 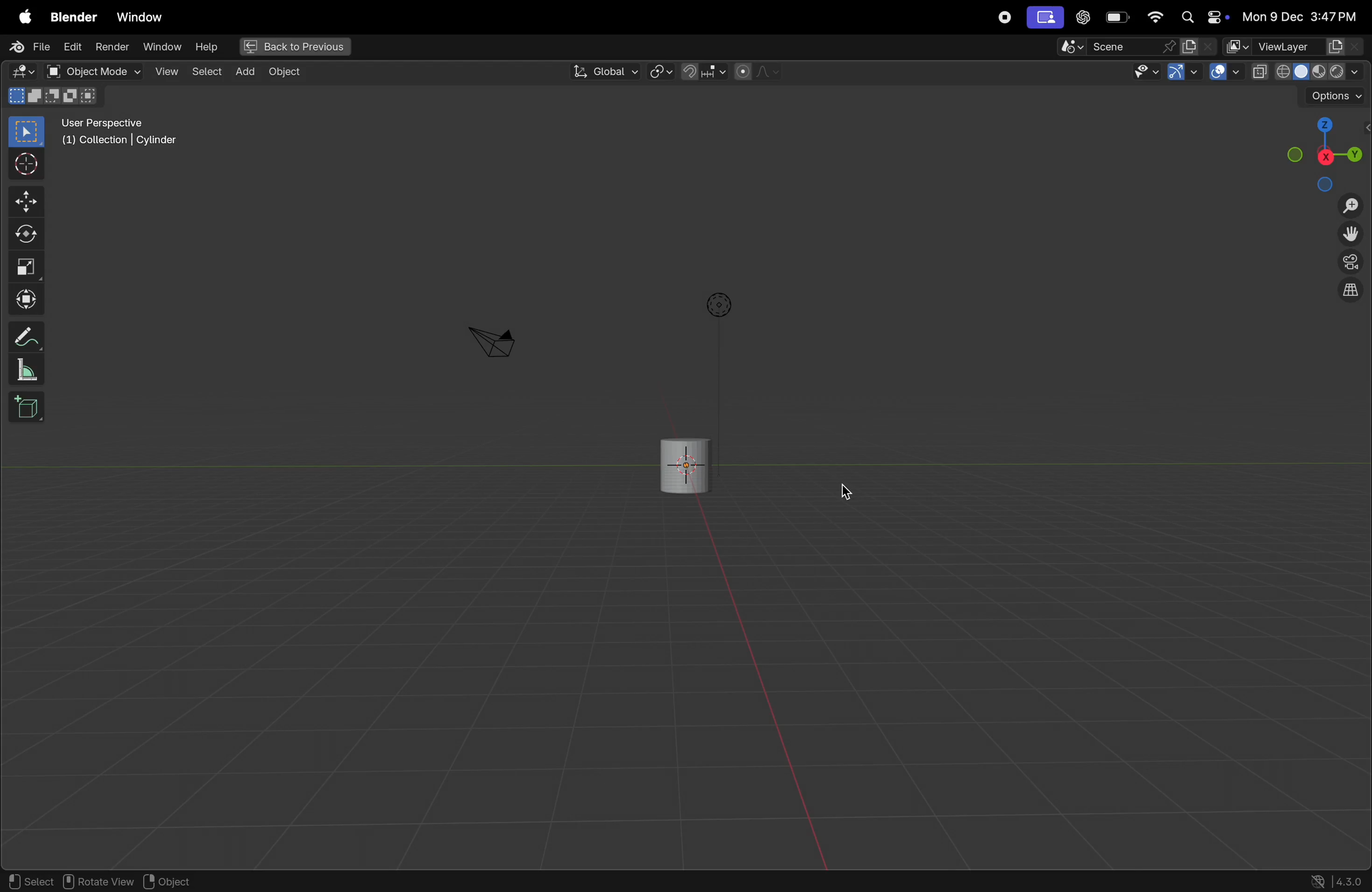 I want to click on File, so click(x=26, y=47).